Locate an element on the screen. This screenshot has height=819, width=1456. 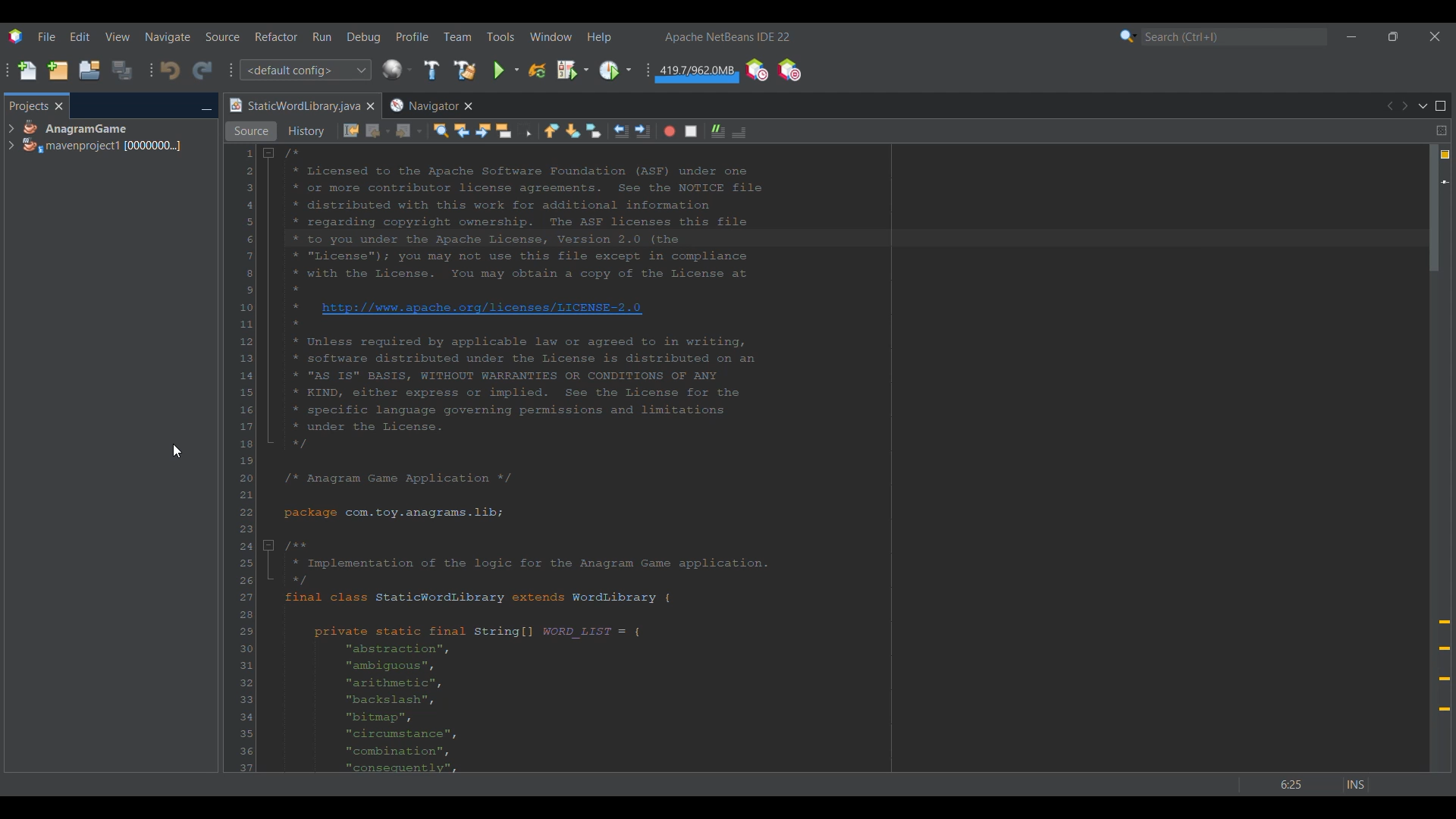
Refactor menu is located at coordinates (276, 36).